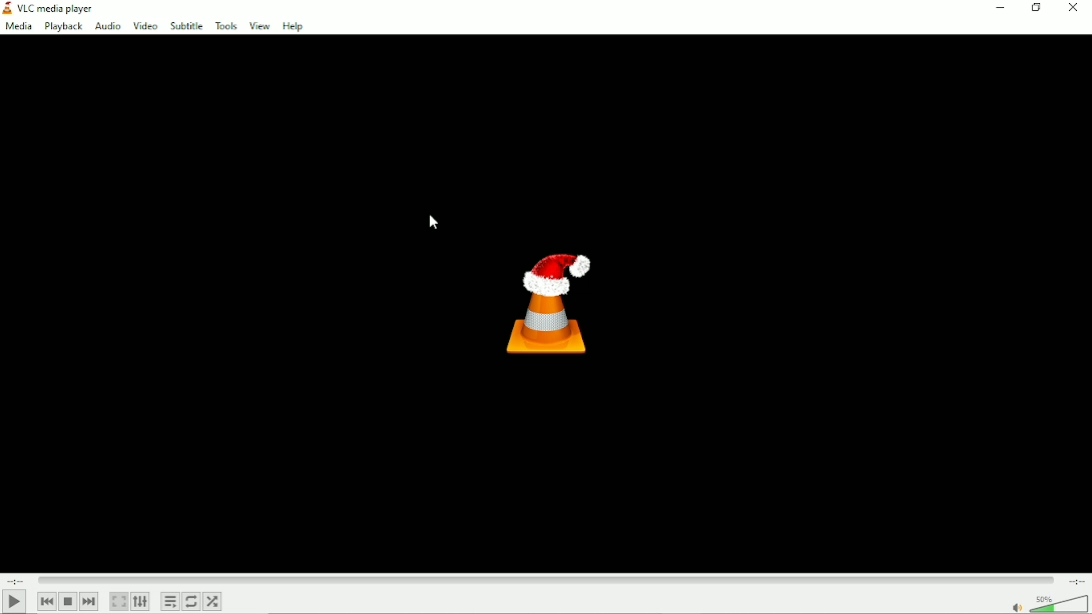 The width and height of the screenshot is (1092, 614). Describe the element at coordinates (190, 601) in the screenshot. I see `Toggle between loop all, loop one and no loop` at that location.